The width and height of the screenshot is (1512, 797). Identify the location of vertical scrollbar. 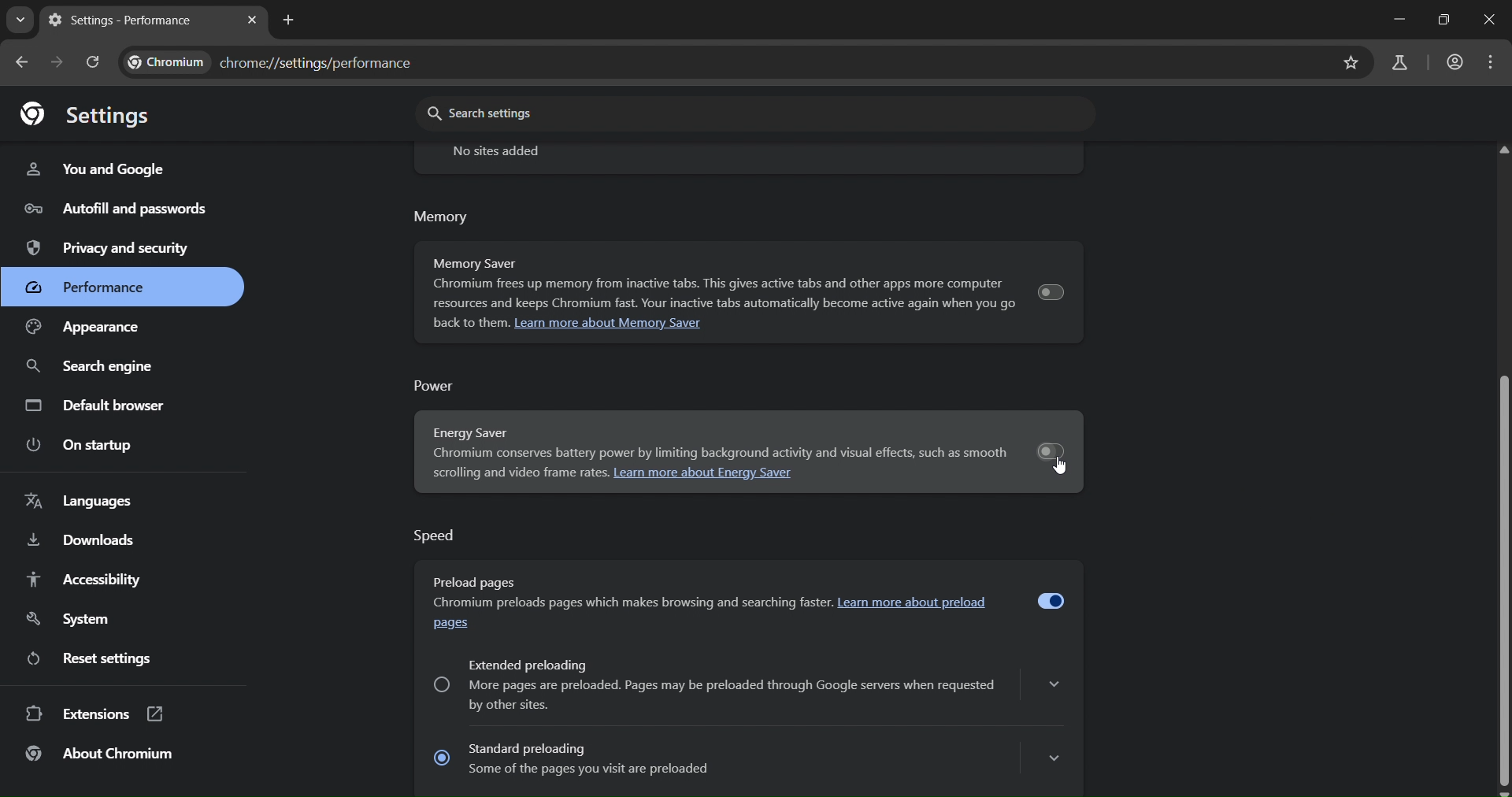
(1503, 486).